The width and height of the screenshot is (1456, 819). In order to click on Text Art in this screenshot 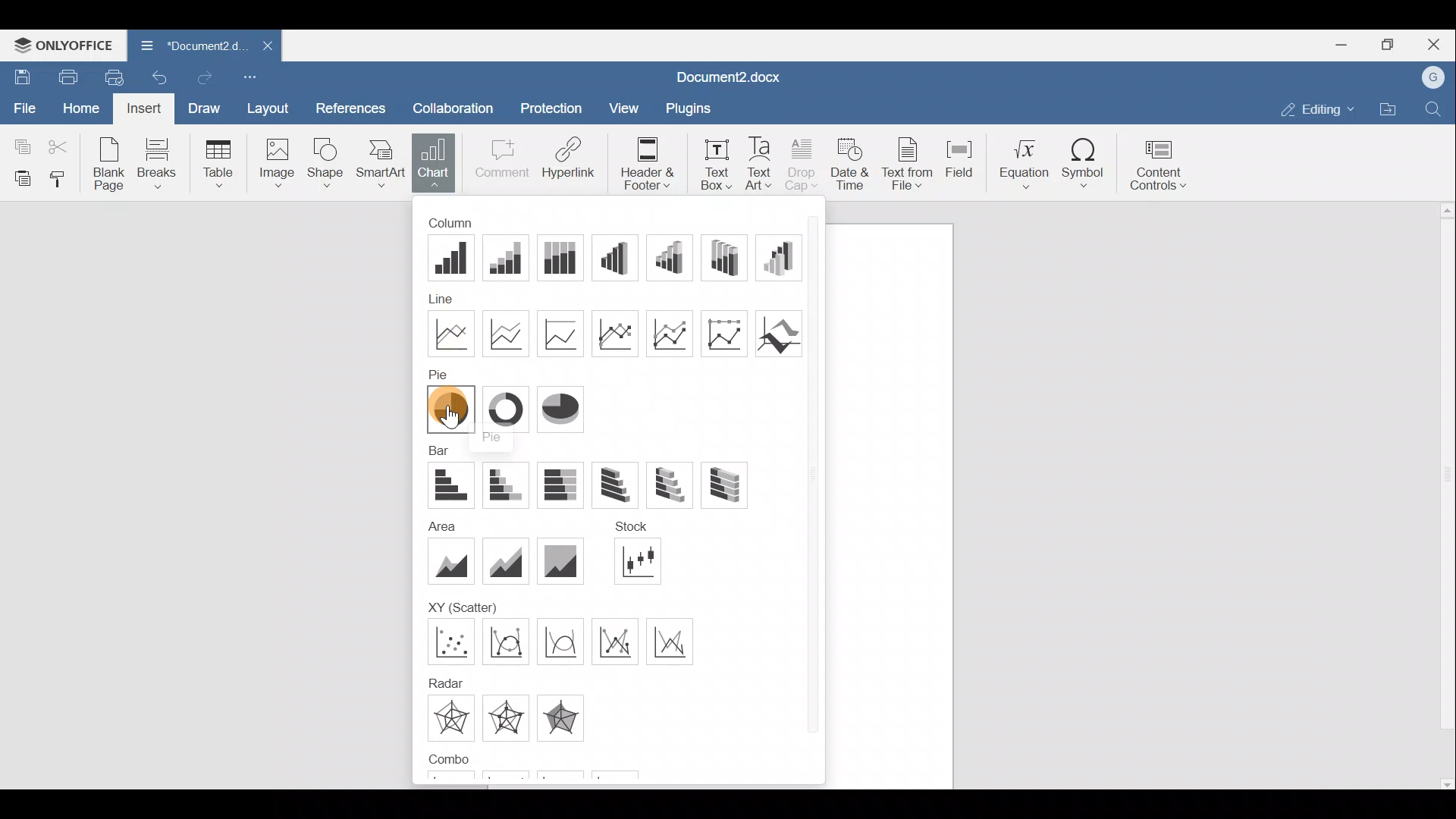, I will do `click(761, 161)`.